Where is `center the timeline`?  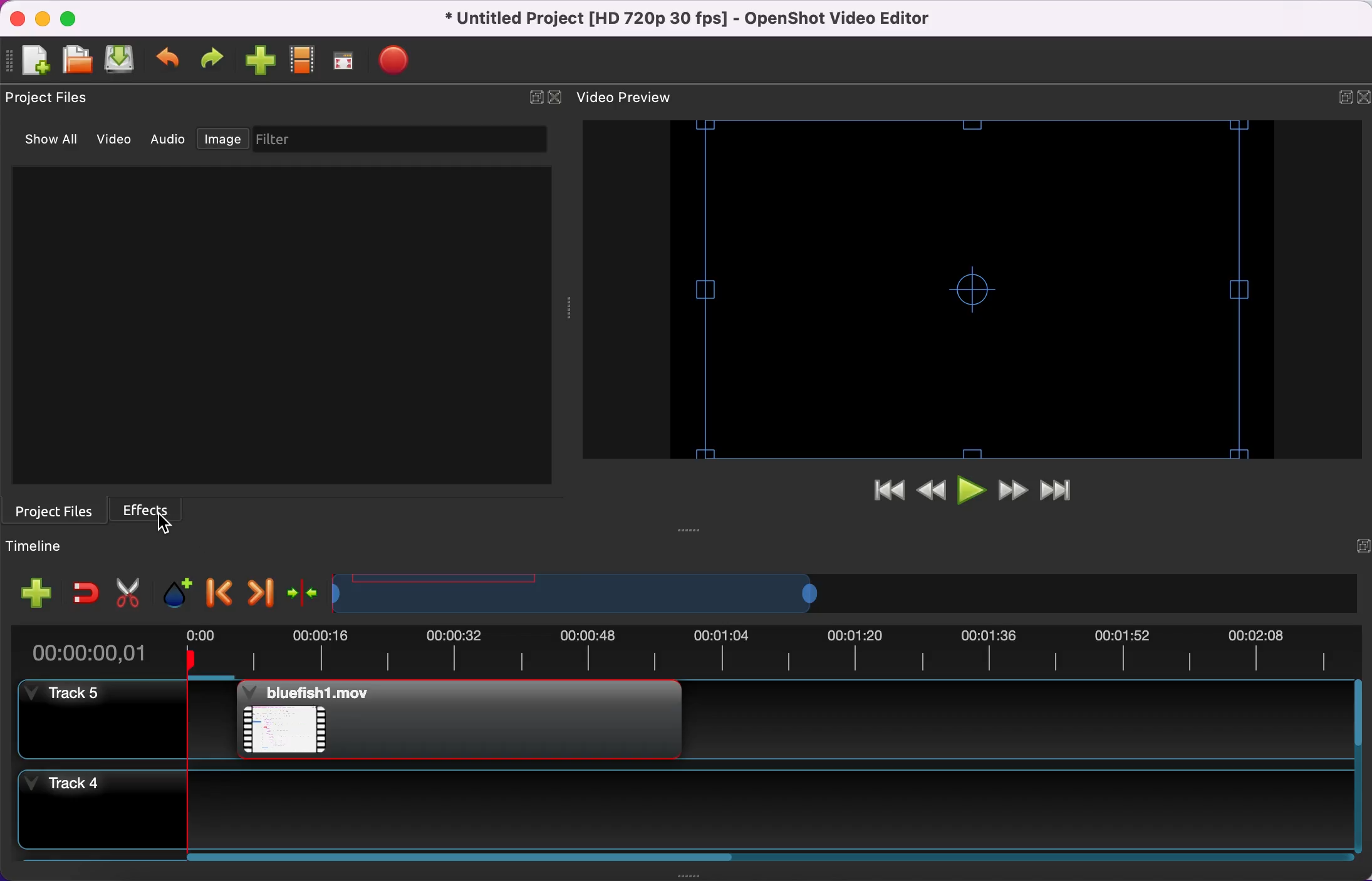 center the timeline is located at coordinates (301, 592).